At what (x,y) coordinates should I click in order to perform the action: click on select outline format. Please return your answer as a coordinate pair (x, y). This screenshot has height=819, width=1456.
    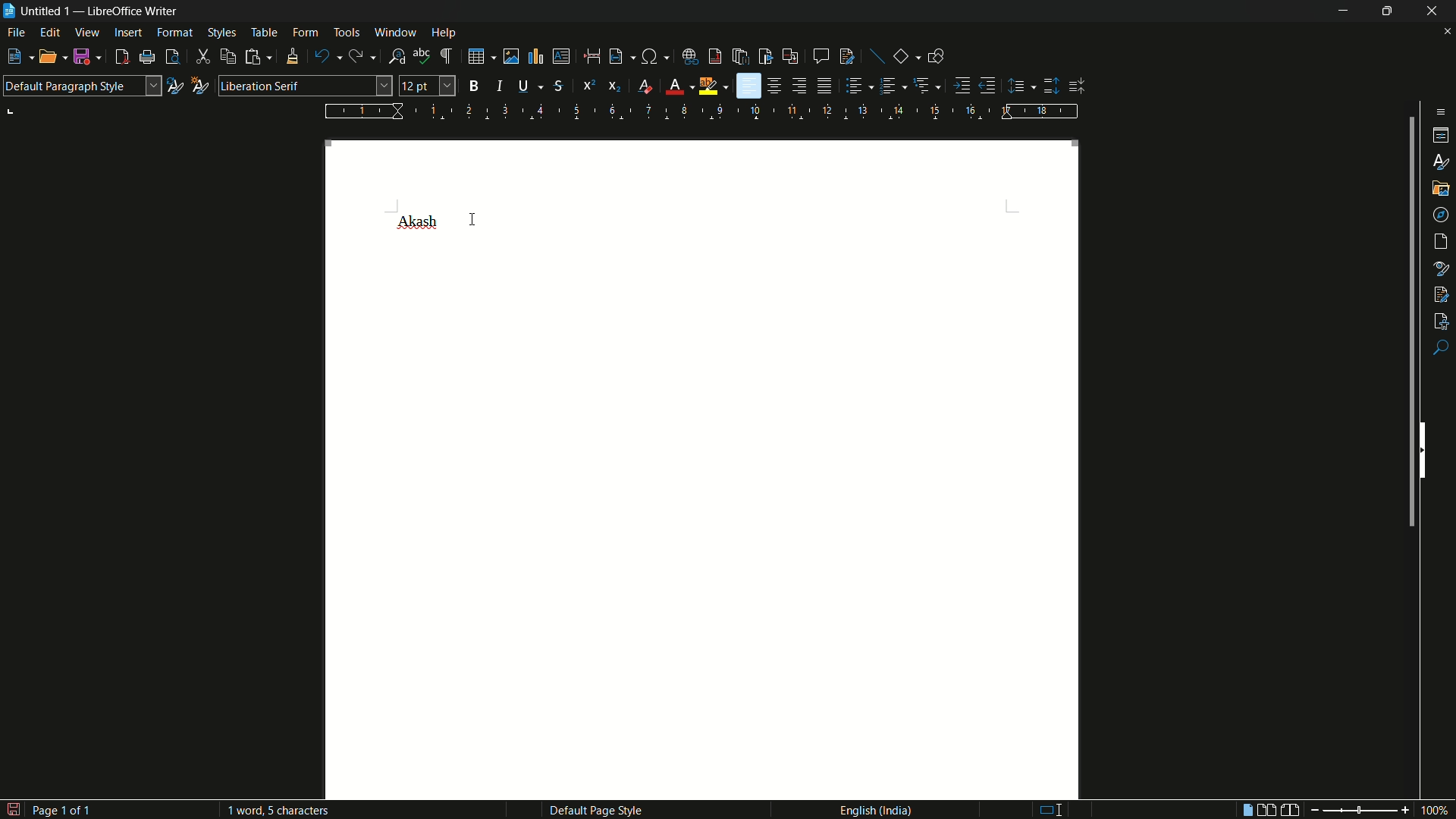
    Looking at the image, I should click on (923, 85).